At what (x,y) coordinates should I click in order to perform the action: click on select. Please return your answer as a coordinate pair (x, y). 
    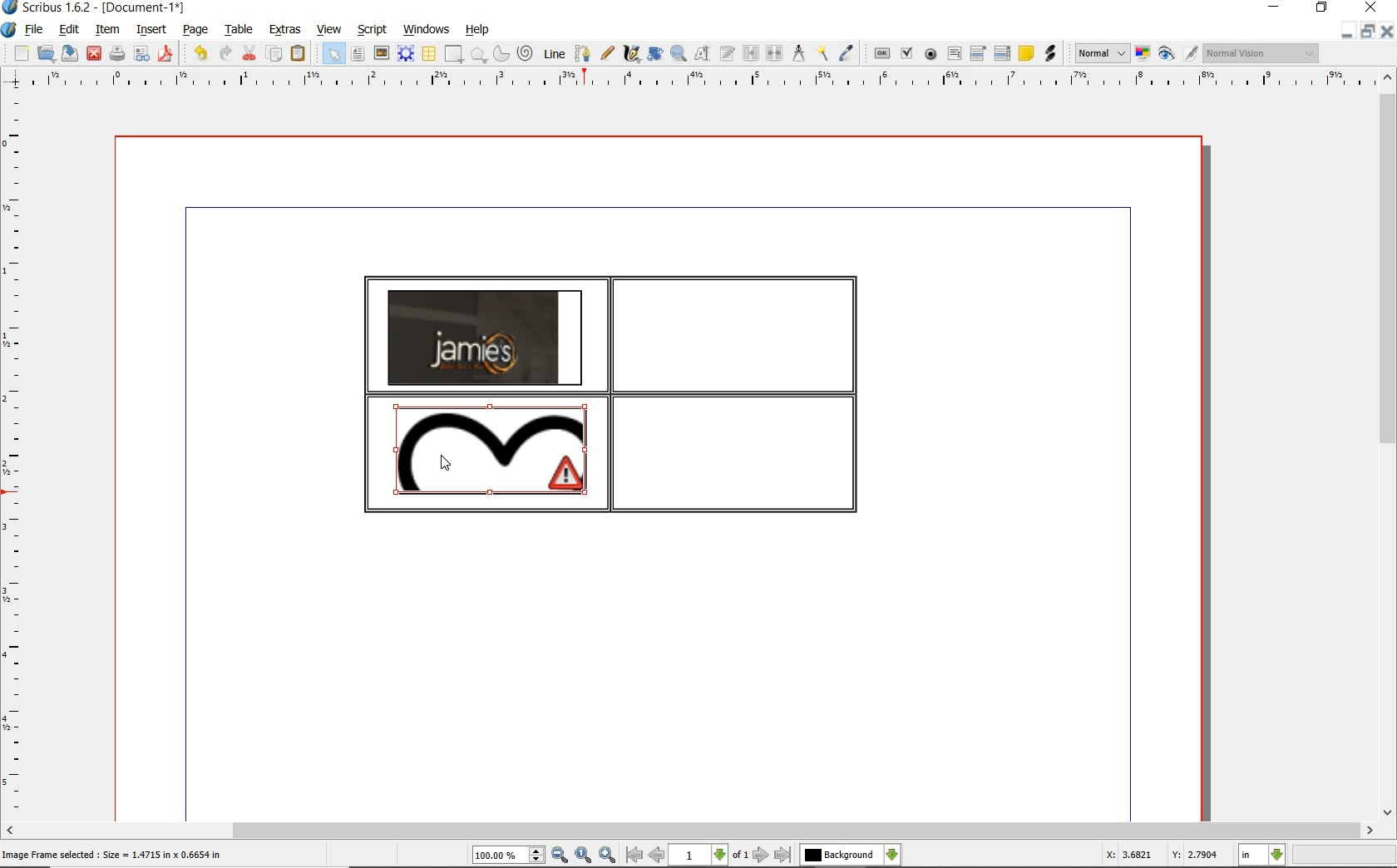
    Looking at the image, I should click on (336, 57).